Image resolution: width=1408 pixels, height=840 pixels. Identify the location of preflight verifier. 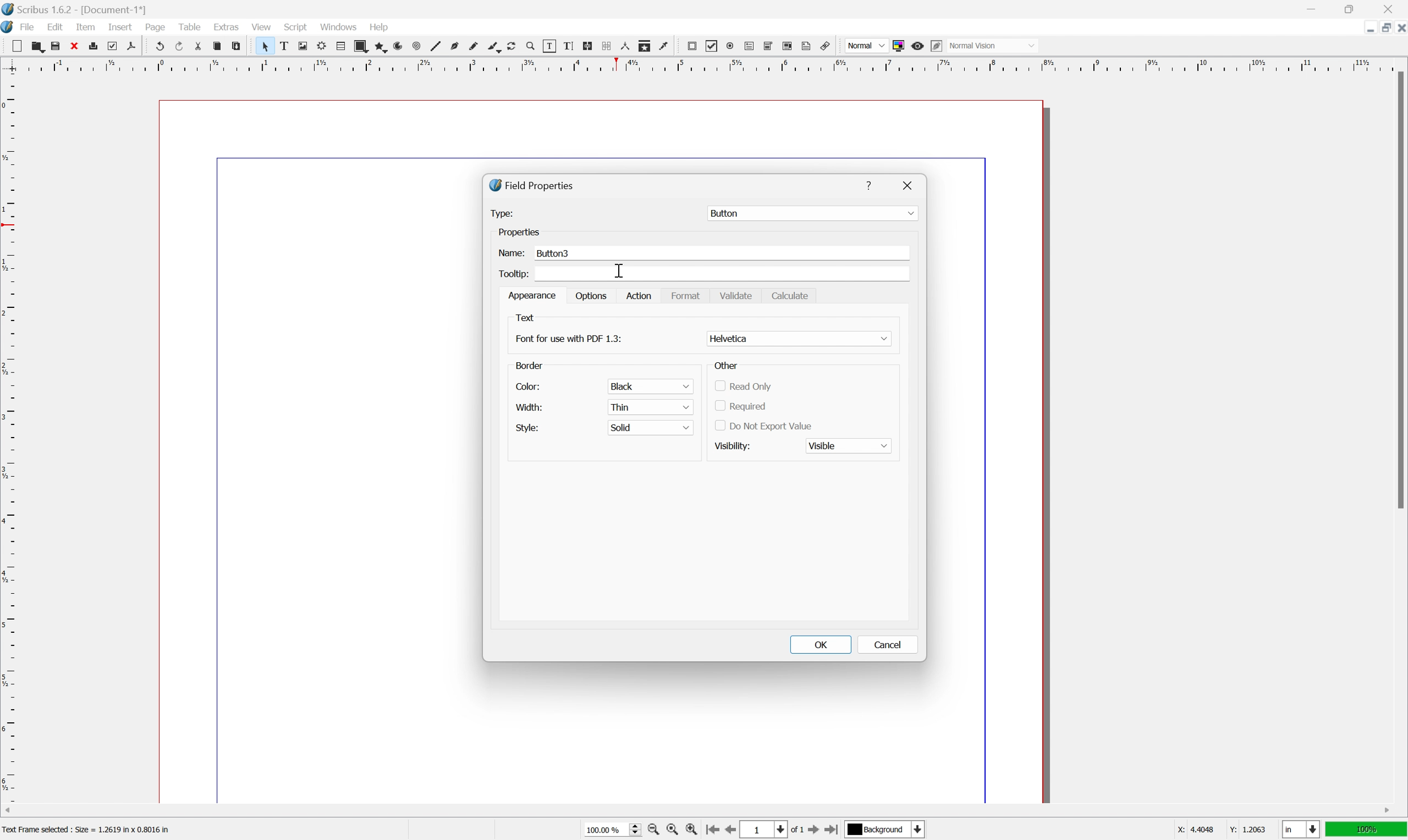
(112, 46).